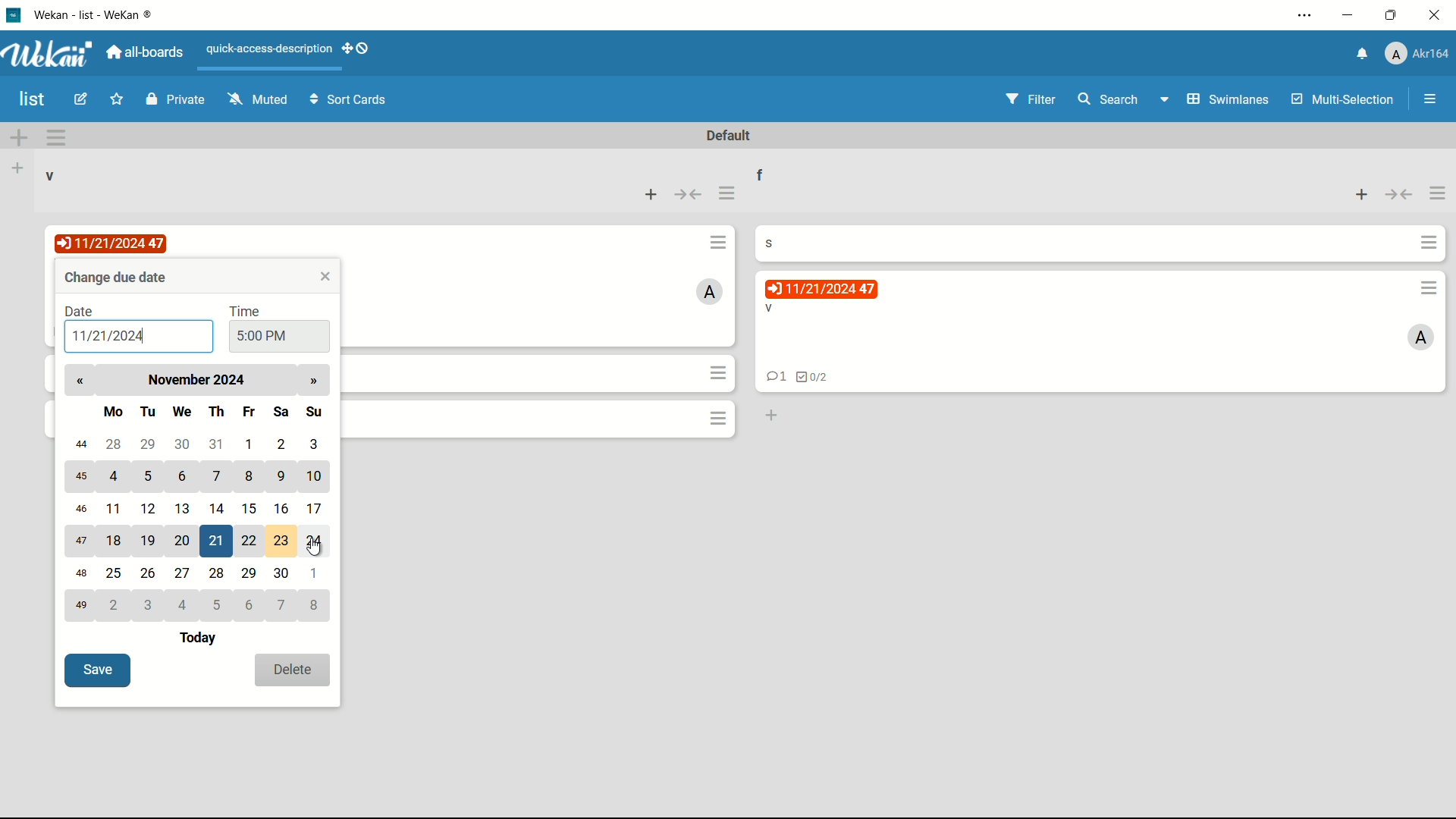  I want to click on time, so click(246, 310).